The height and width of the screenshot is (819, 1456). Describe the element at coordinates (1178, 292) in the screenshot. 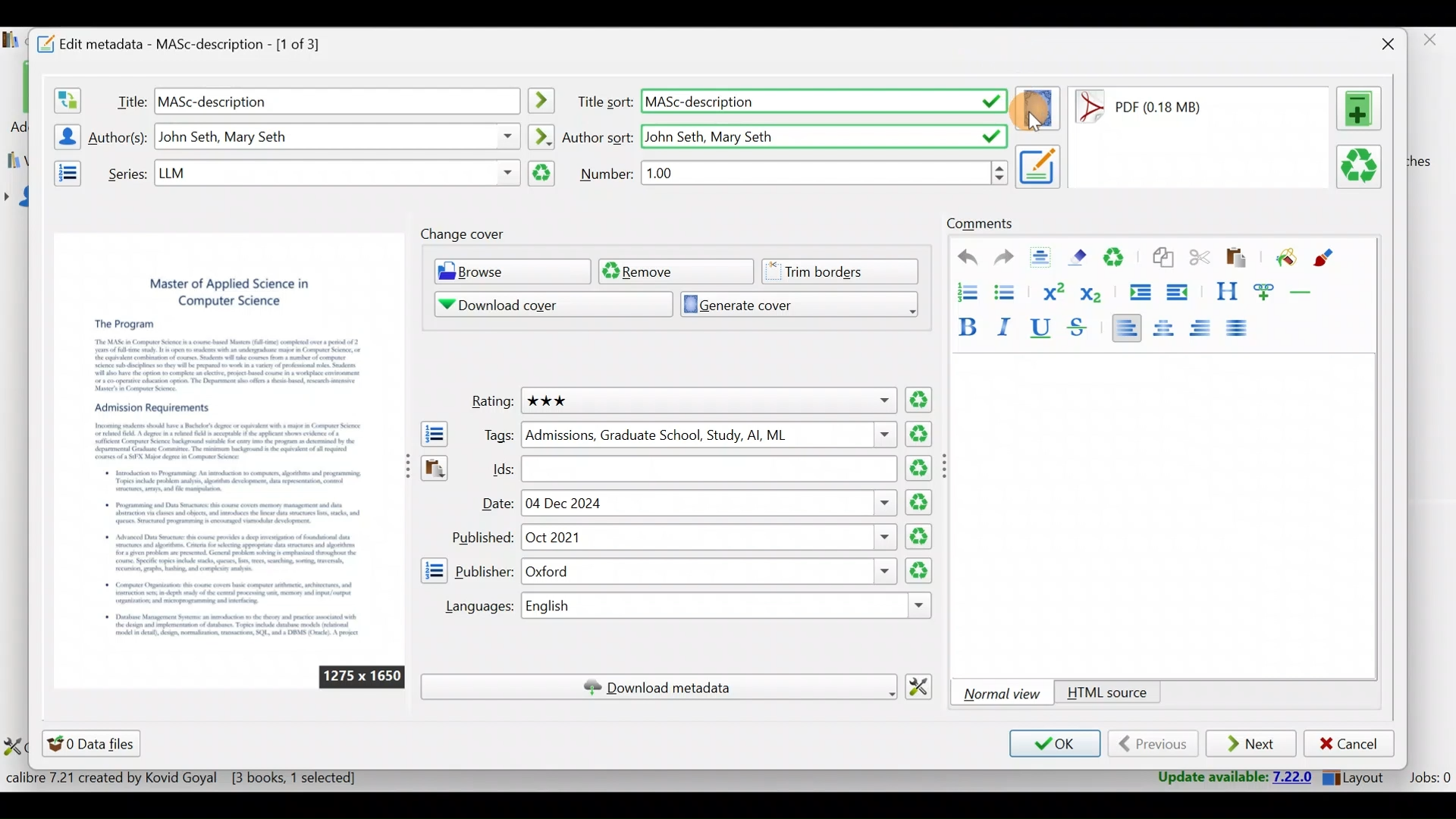

I see `Decrease indentation` at that location.